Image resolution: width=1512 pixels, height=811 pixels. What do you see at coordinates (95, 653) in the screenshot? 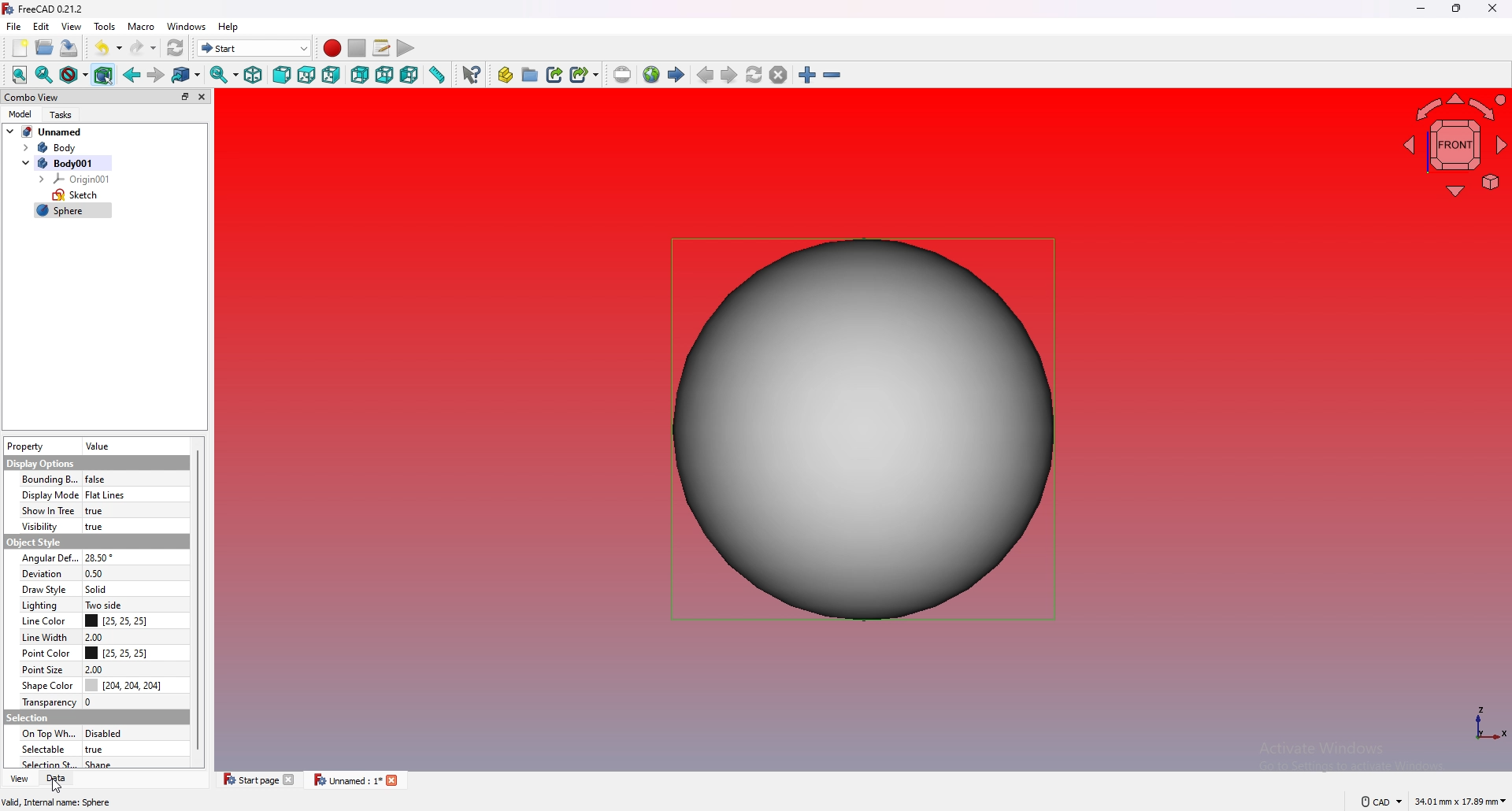
I see `point color` at bounding box center [95, 653].